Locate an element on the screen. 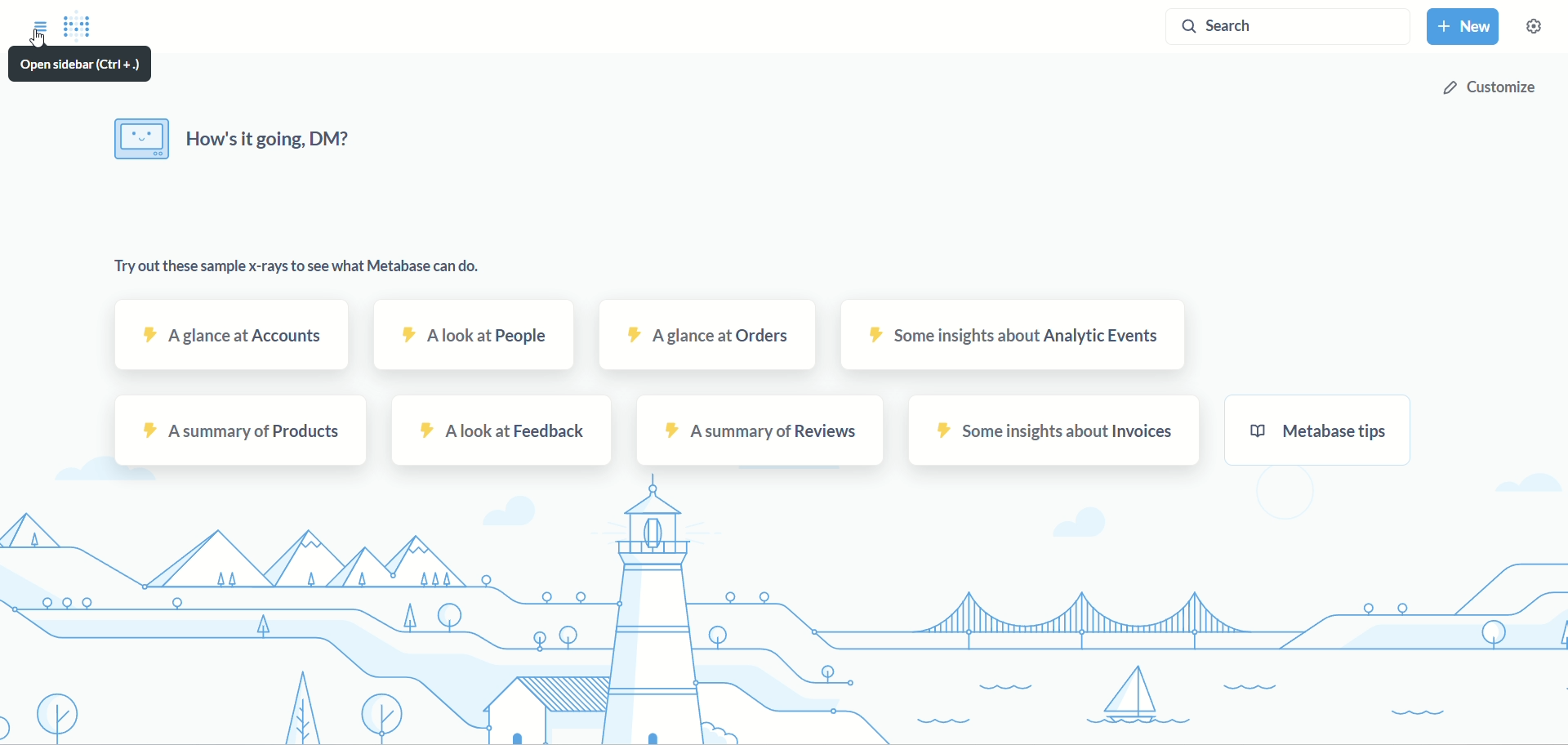 The image size is (1568, 745). customize is located at coordinates (1487, 88).